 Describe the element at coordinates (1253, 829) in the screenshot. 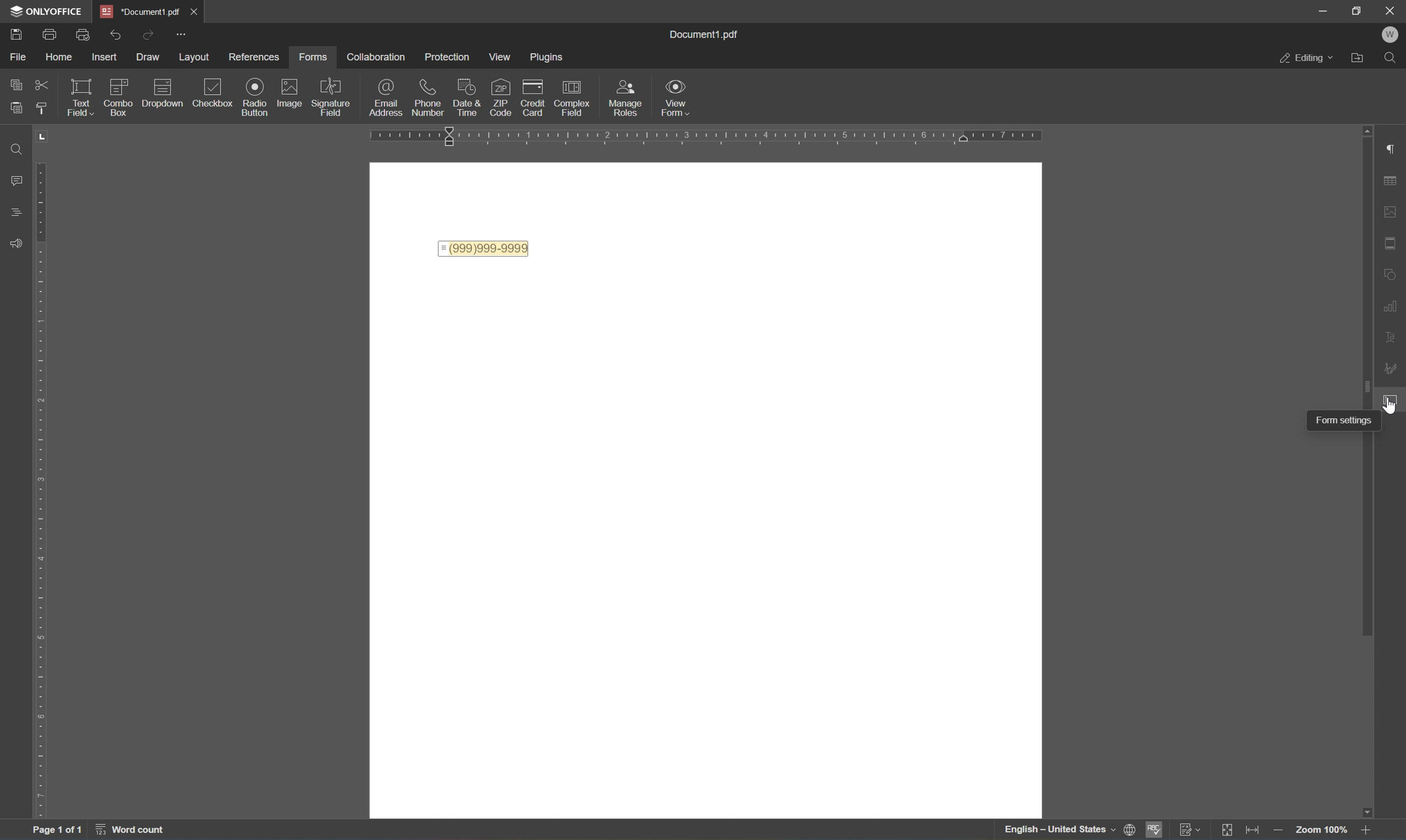

I see `fit to width` at that location.